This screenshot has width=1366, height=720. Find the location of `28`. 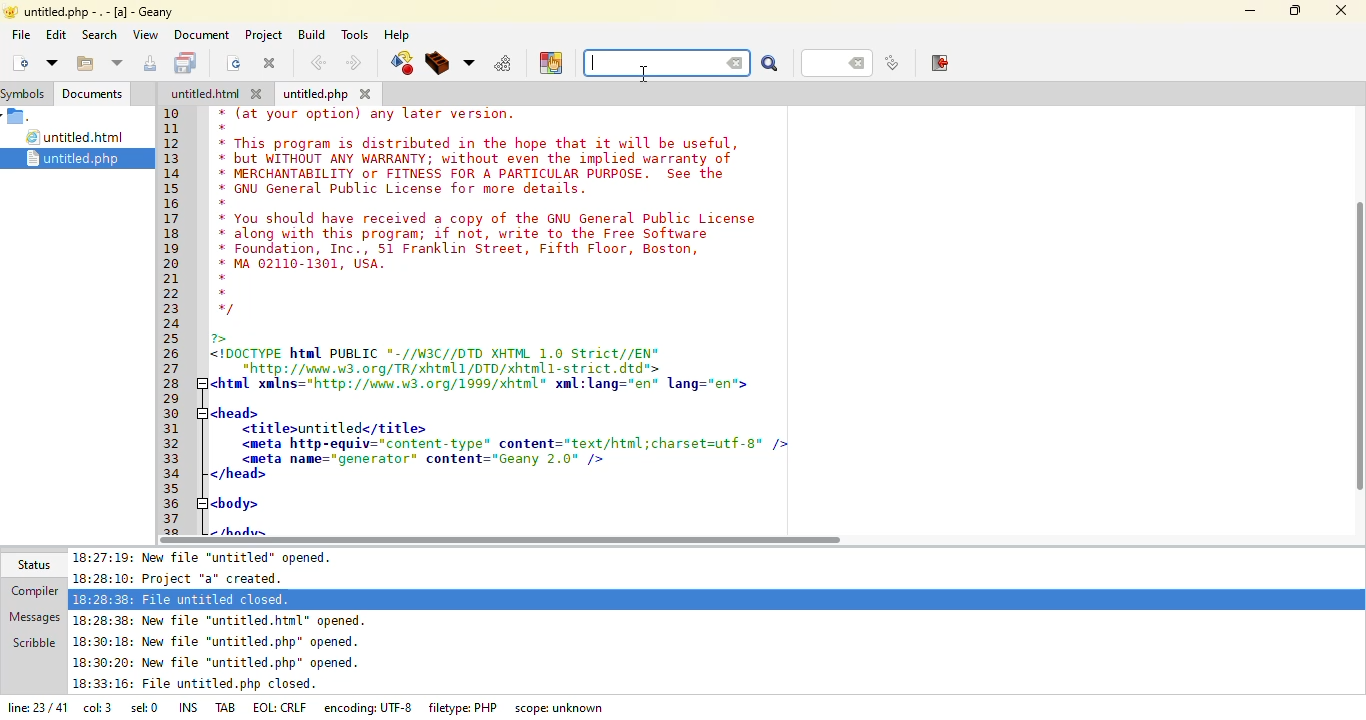

28 is located at coordinates (174, 382).